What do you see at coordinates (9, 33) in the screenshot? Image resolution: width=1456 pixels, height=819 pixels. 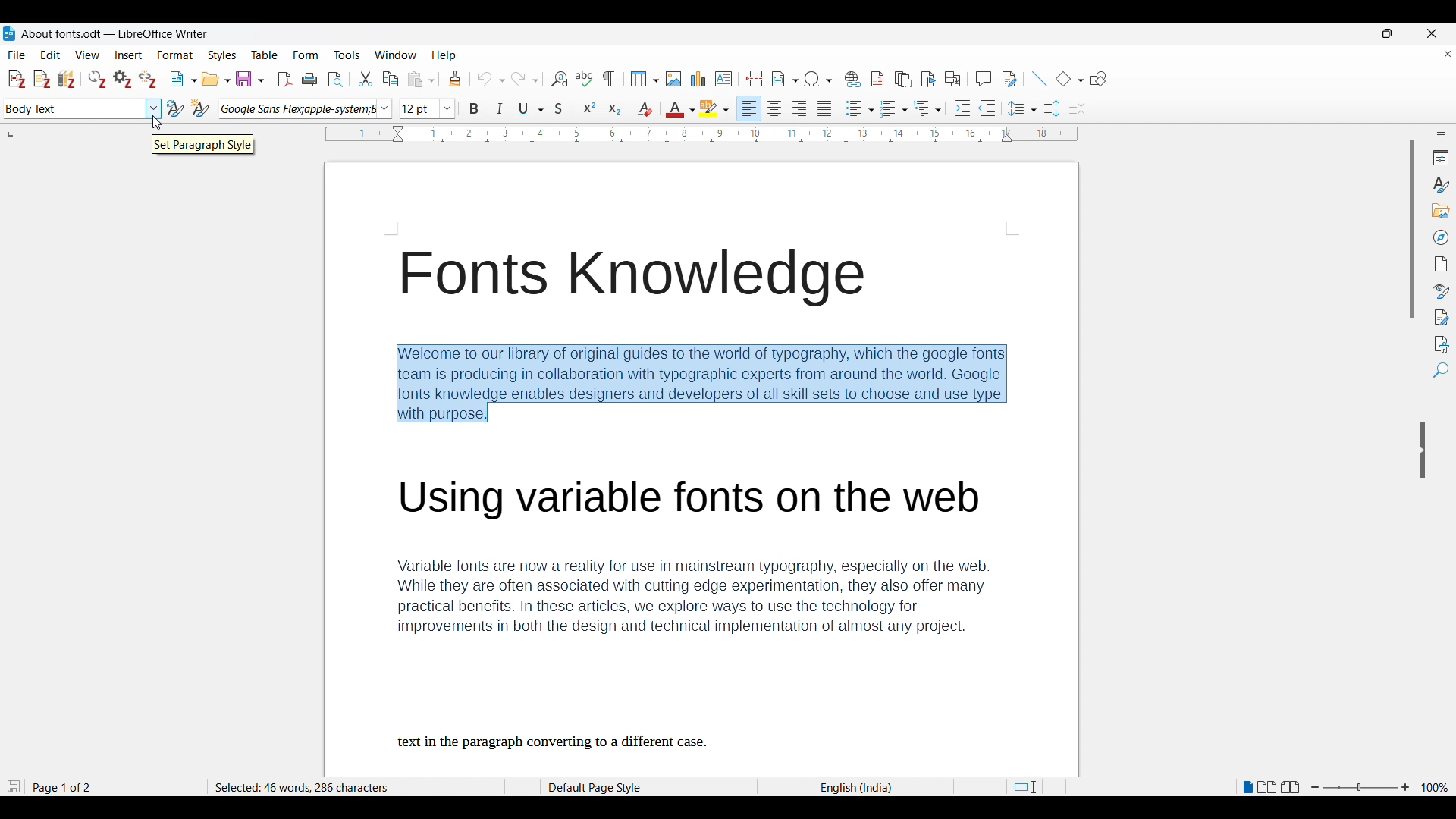 I see `Software logo` at bounding box center [9, 33].